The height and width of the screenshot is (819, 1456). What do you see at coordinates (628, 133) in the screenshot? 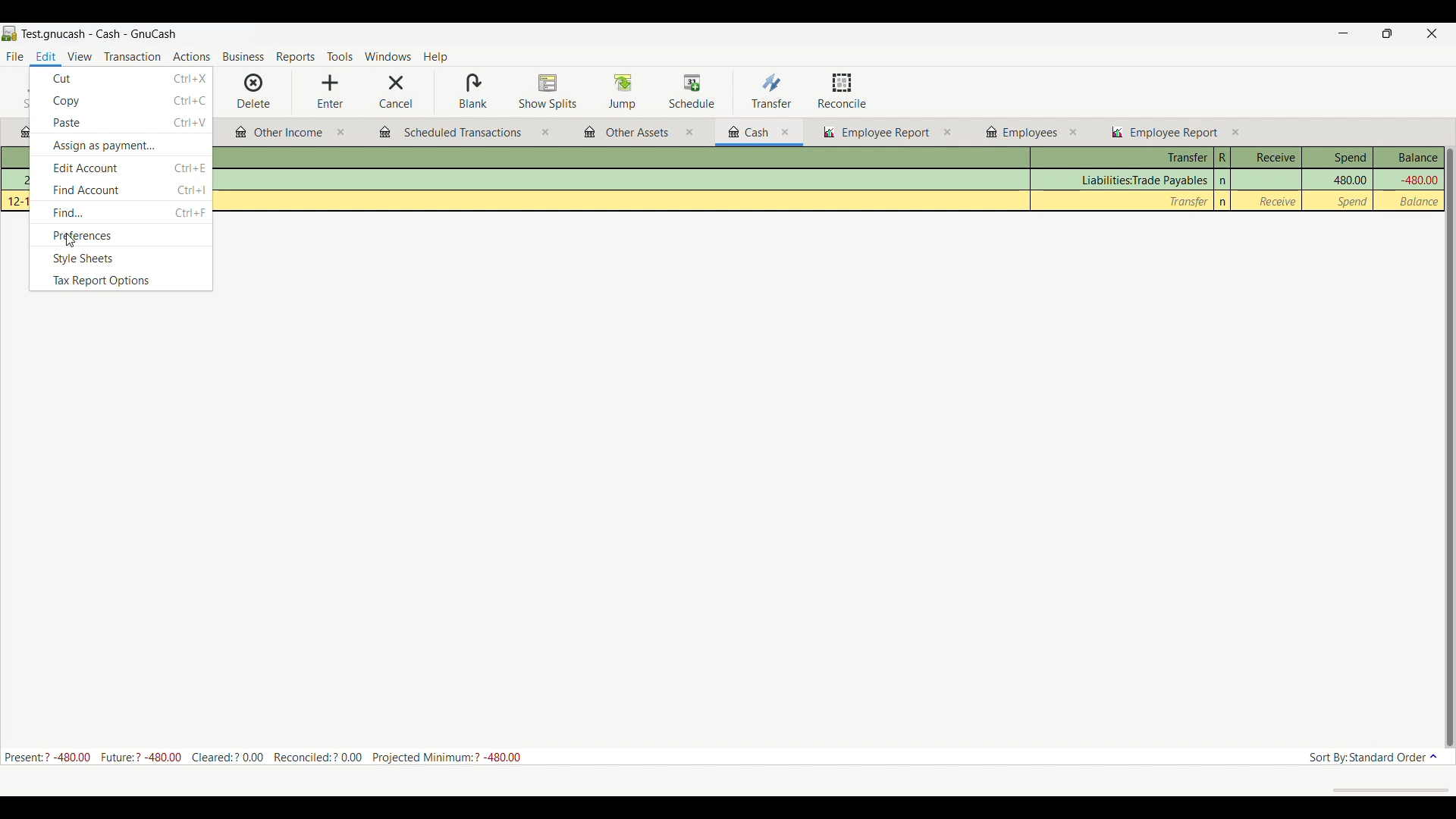
I see `Other budgets and reports` at bounding box center [628, 133].